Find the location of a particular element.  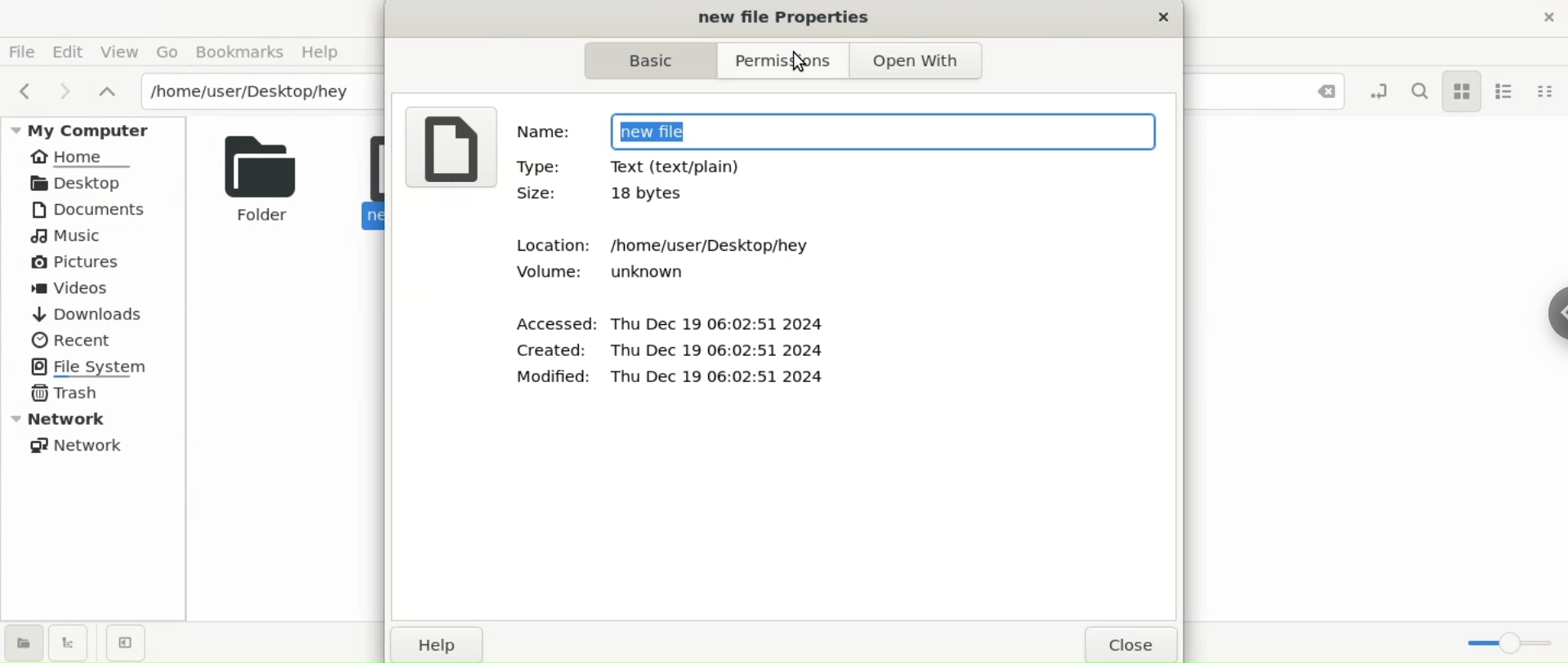

Pictures is located at coordinates (77, 263).